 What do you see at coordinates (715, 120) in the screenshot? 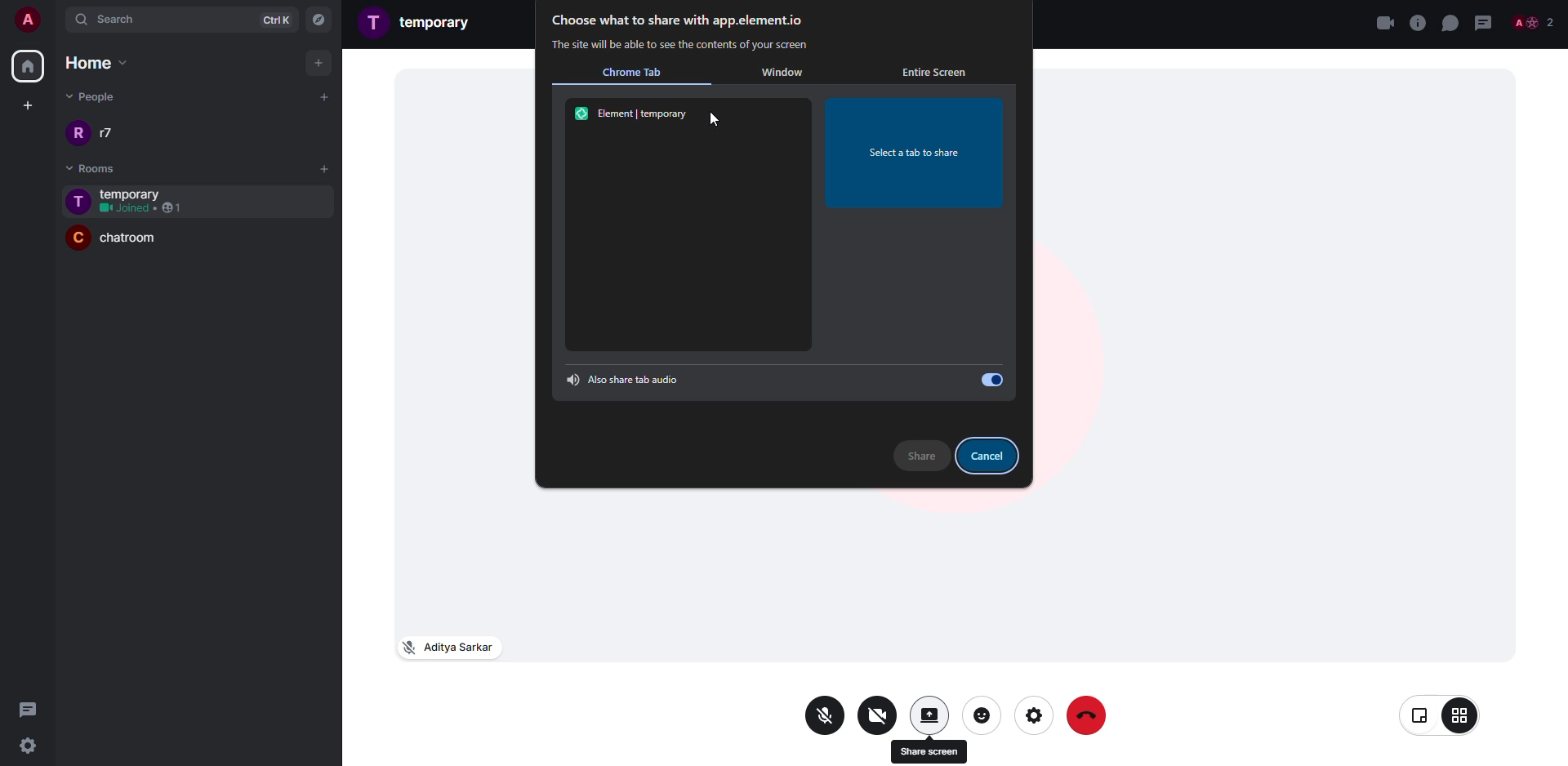
I see `cursor` at bounding box center [715, 120].